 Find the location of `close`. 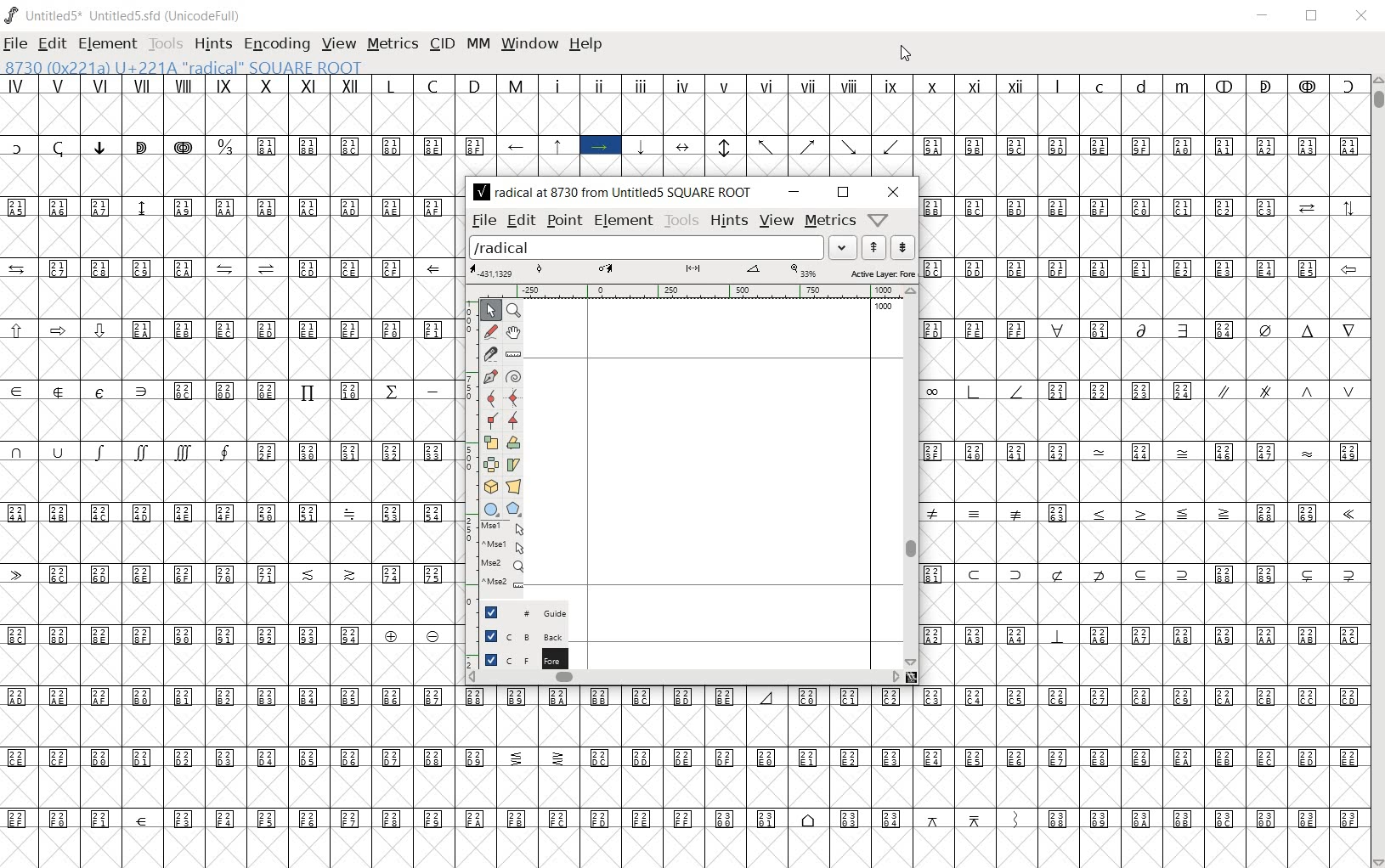

close is located at coordinates (895, 192).